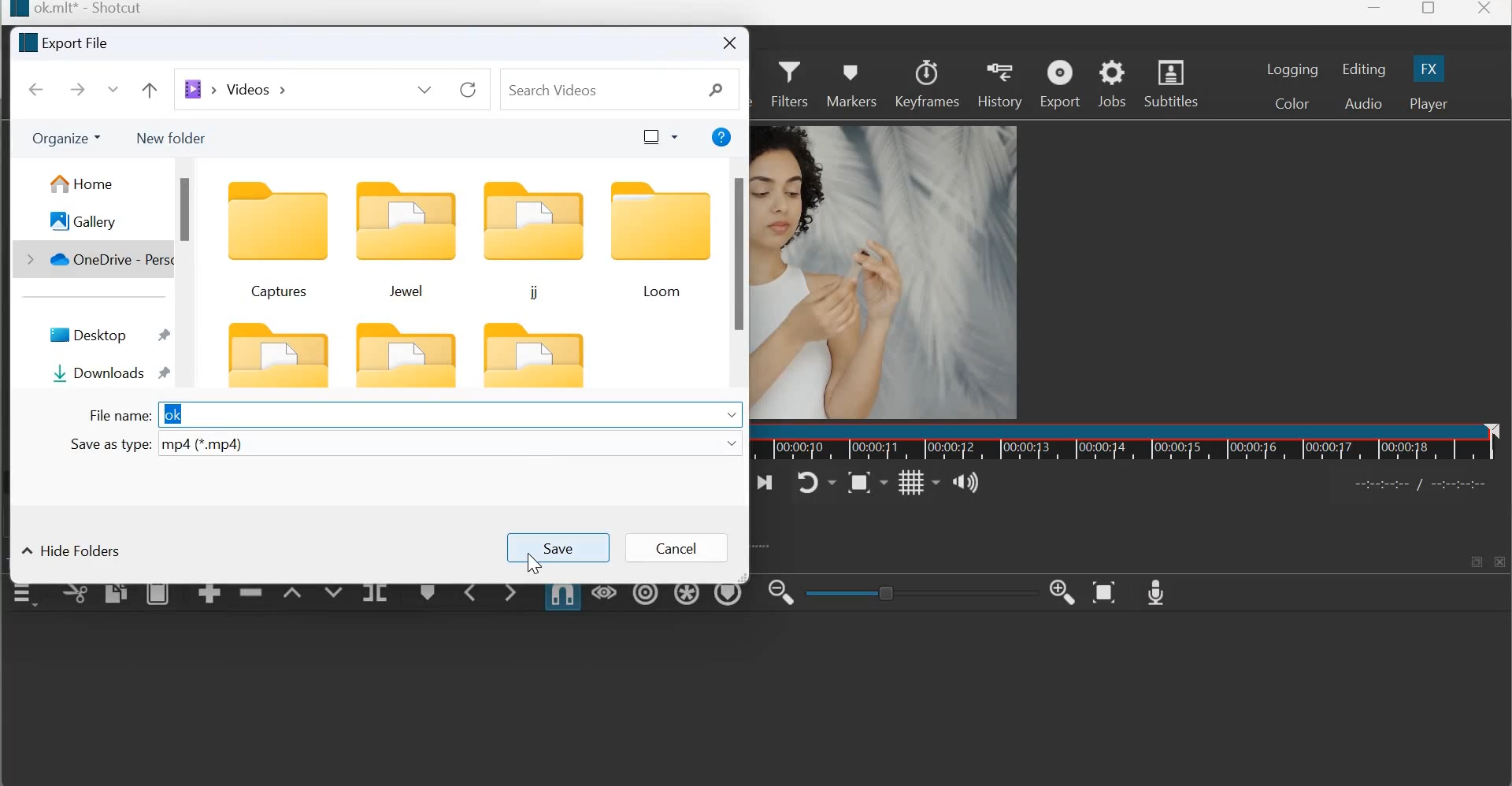  What do you see at coordinates (1364, 69) in the screenshot?
I see `Editing` at bounding box center [1364, 69].